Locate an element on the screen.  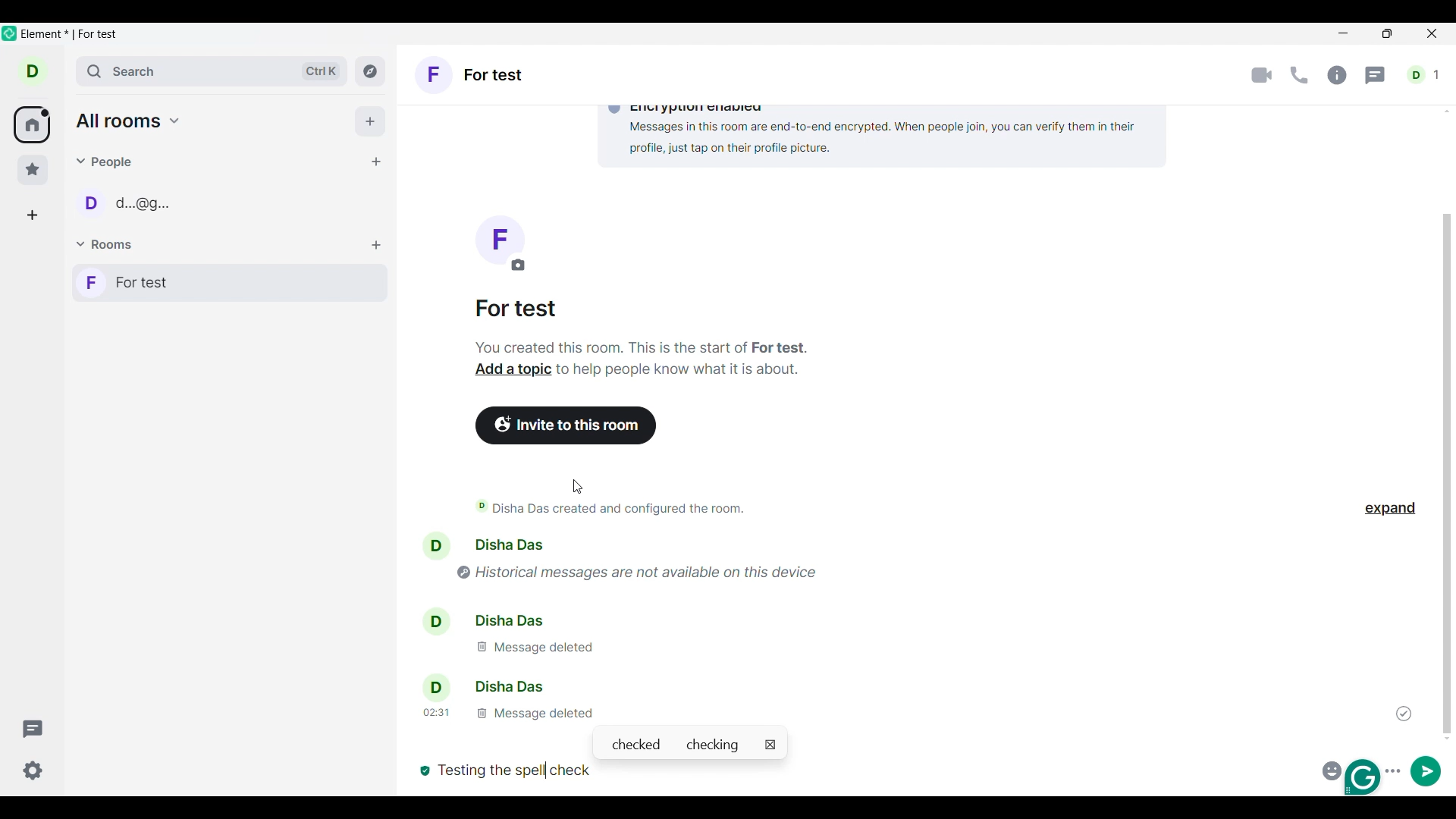
disha das is located at coordinates (515, 544).